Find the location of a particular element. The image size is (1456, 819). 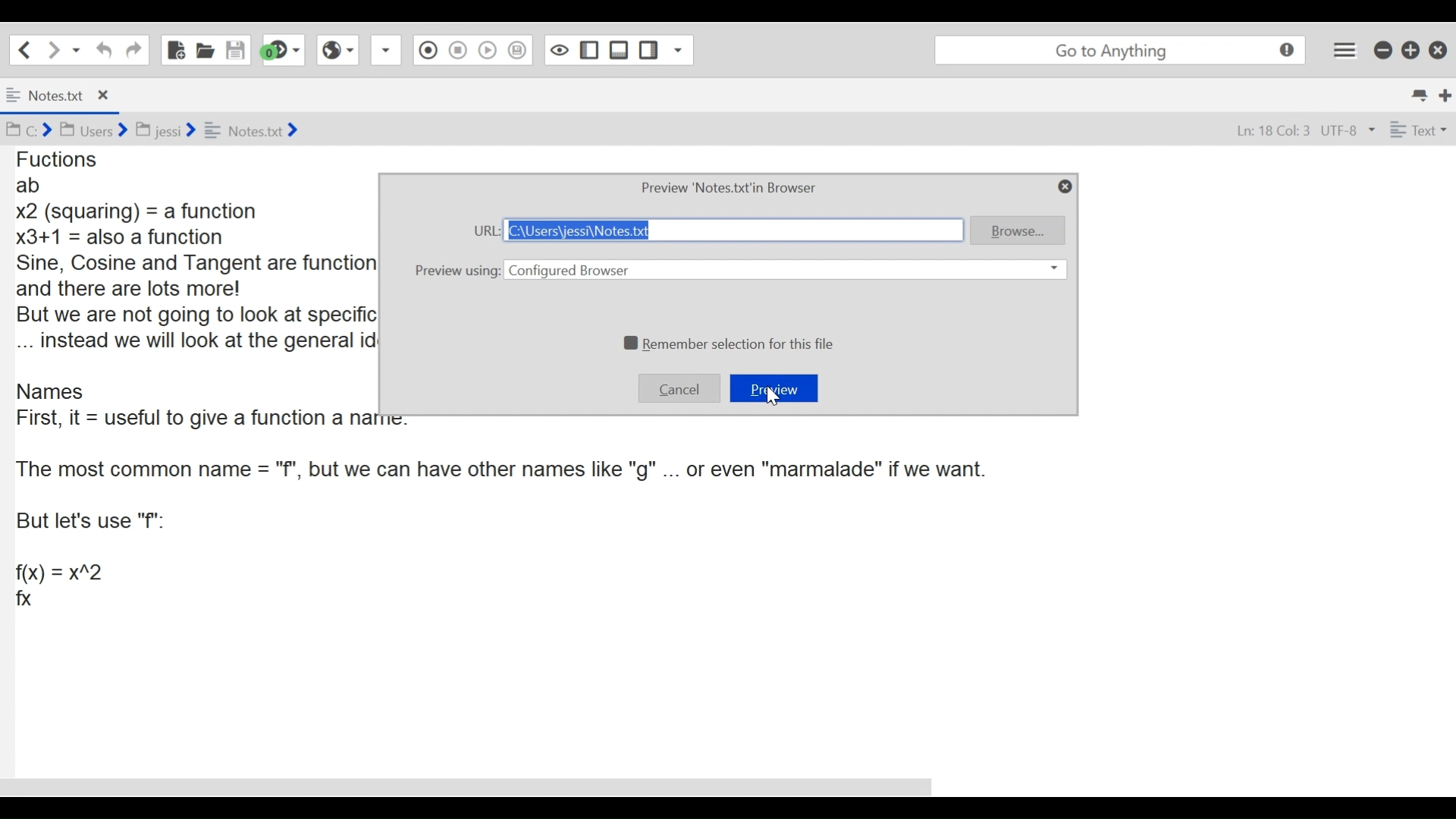

Application menu is located at coordinates (1344, 47).